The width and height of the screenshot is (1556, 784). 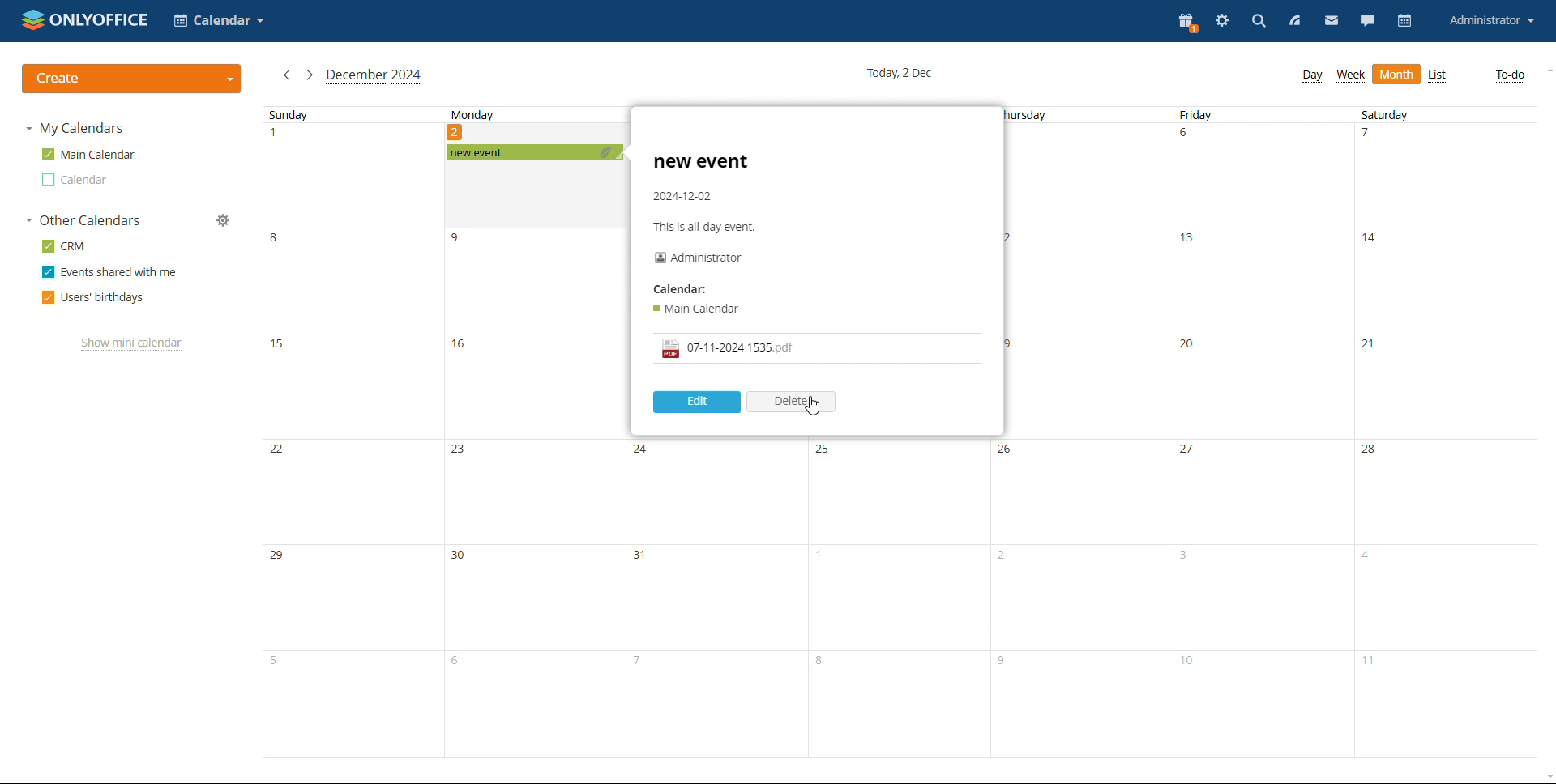 What do you see at coordinates (1222, 23) in the screenshot?
I see `settings` at bounding box center [1222, 23].